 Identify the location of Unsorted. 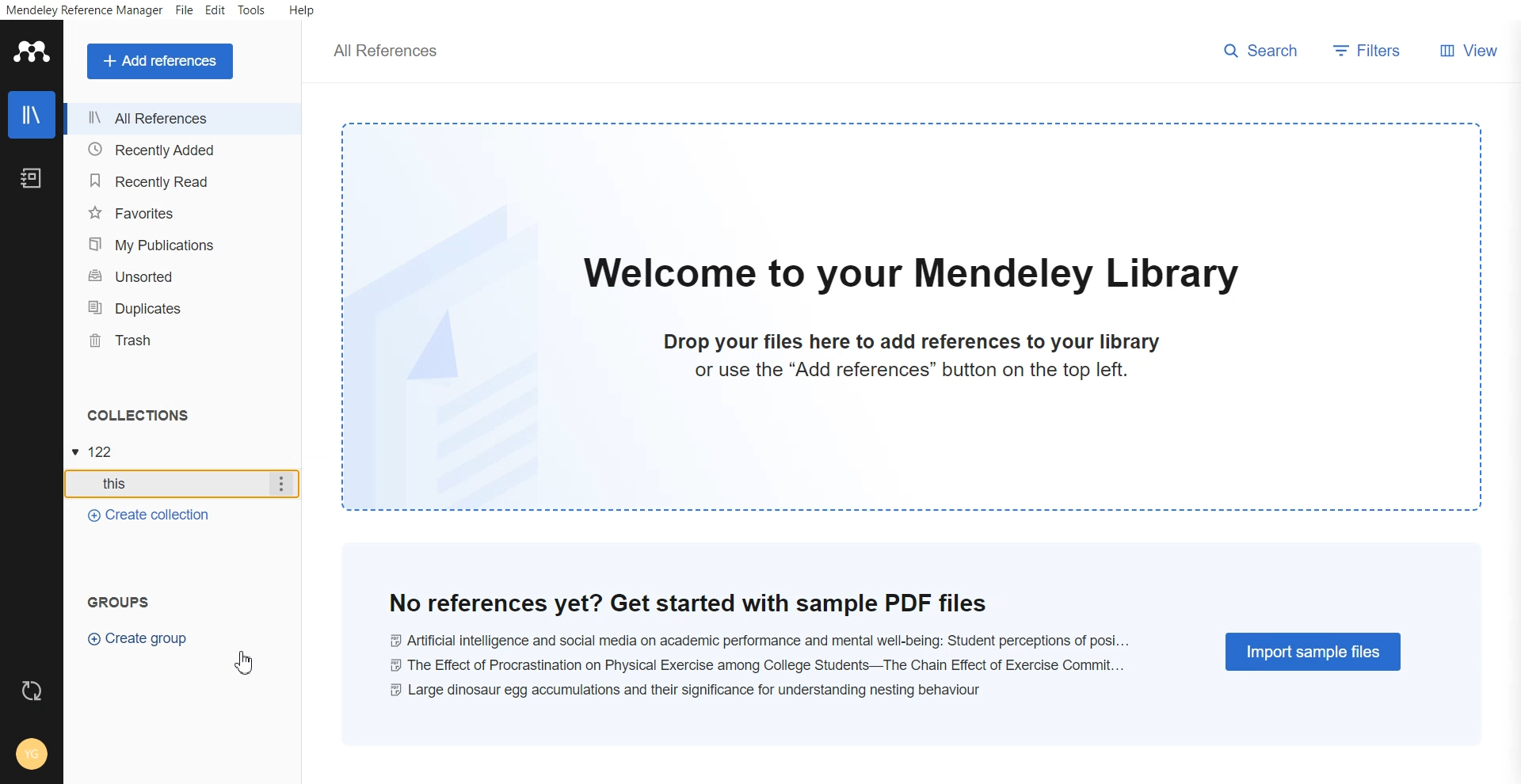
(183, 276).